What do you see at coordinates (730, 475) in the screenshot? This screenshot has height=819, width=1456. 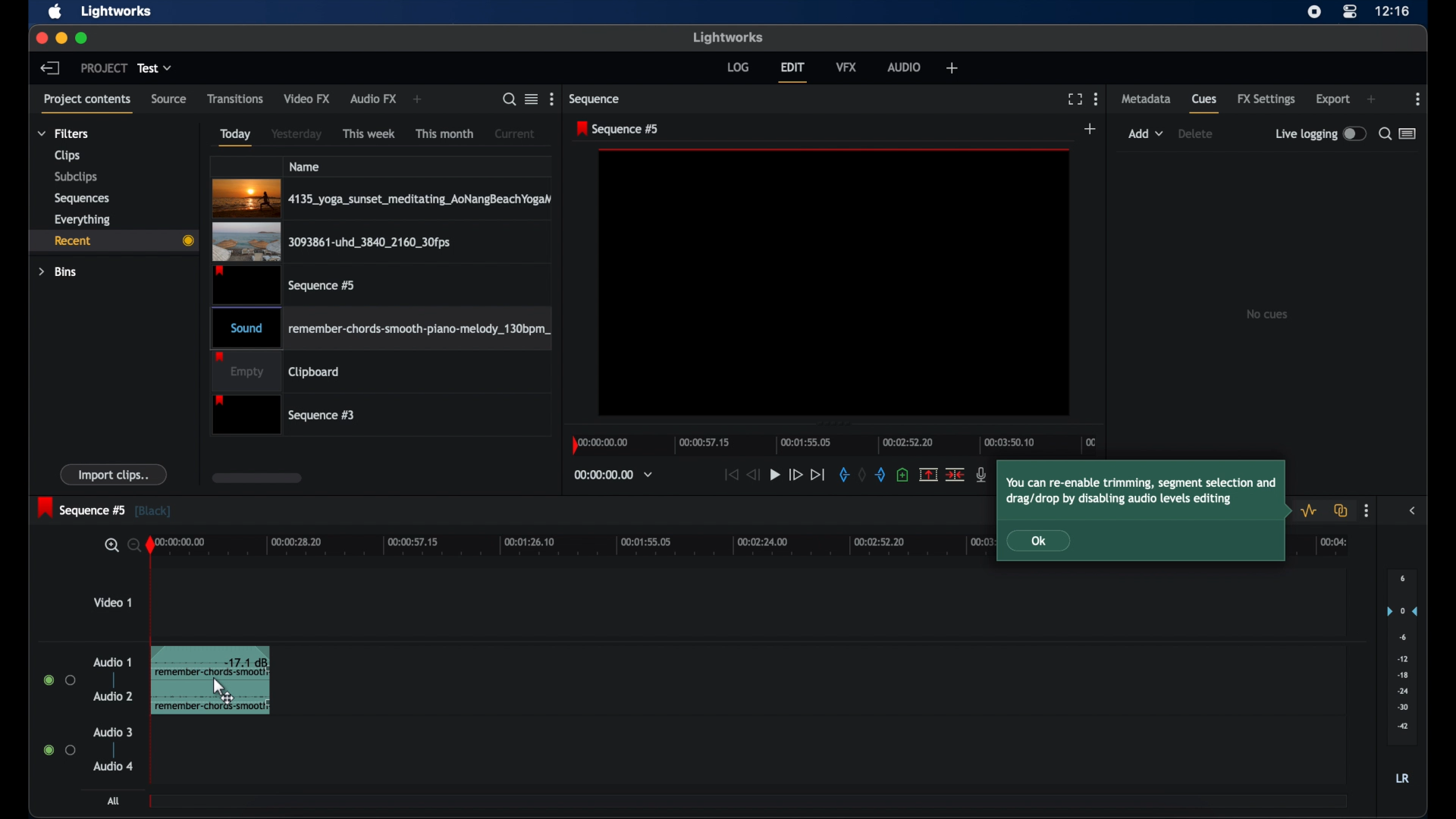 I see `jump to start` at bounding box center [730, 475].